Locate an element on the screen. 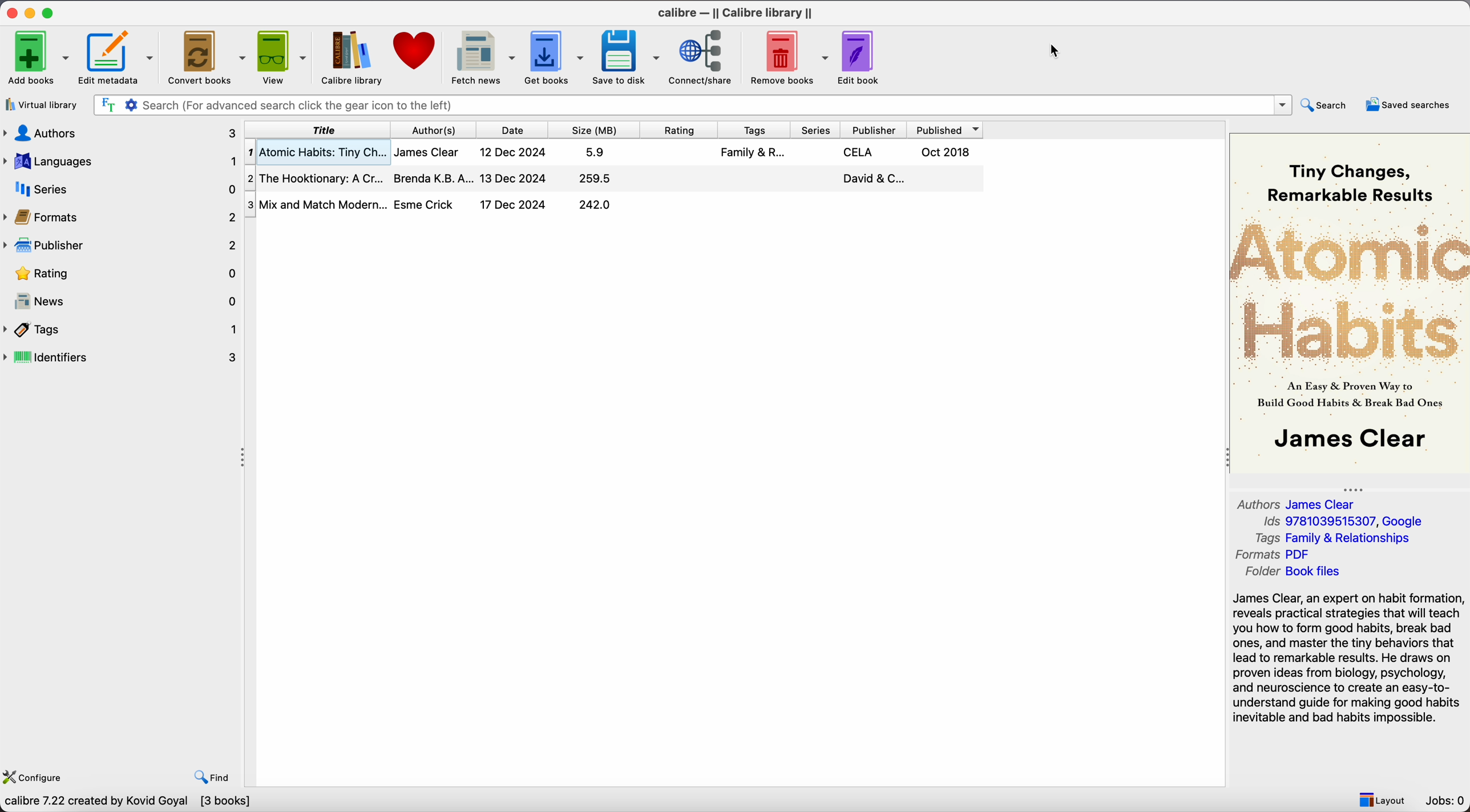 This screenshot has height=812, width=1470. minimize is located at coordinates (32, 11).